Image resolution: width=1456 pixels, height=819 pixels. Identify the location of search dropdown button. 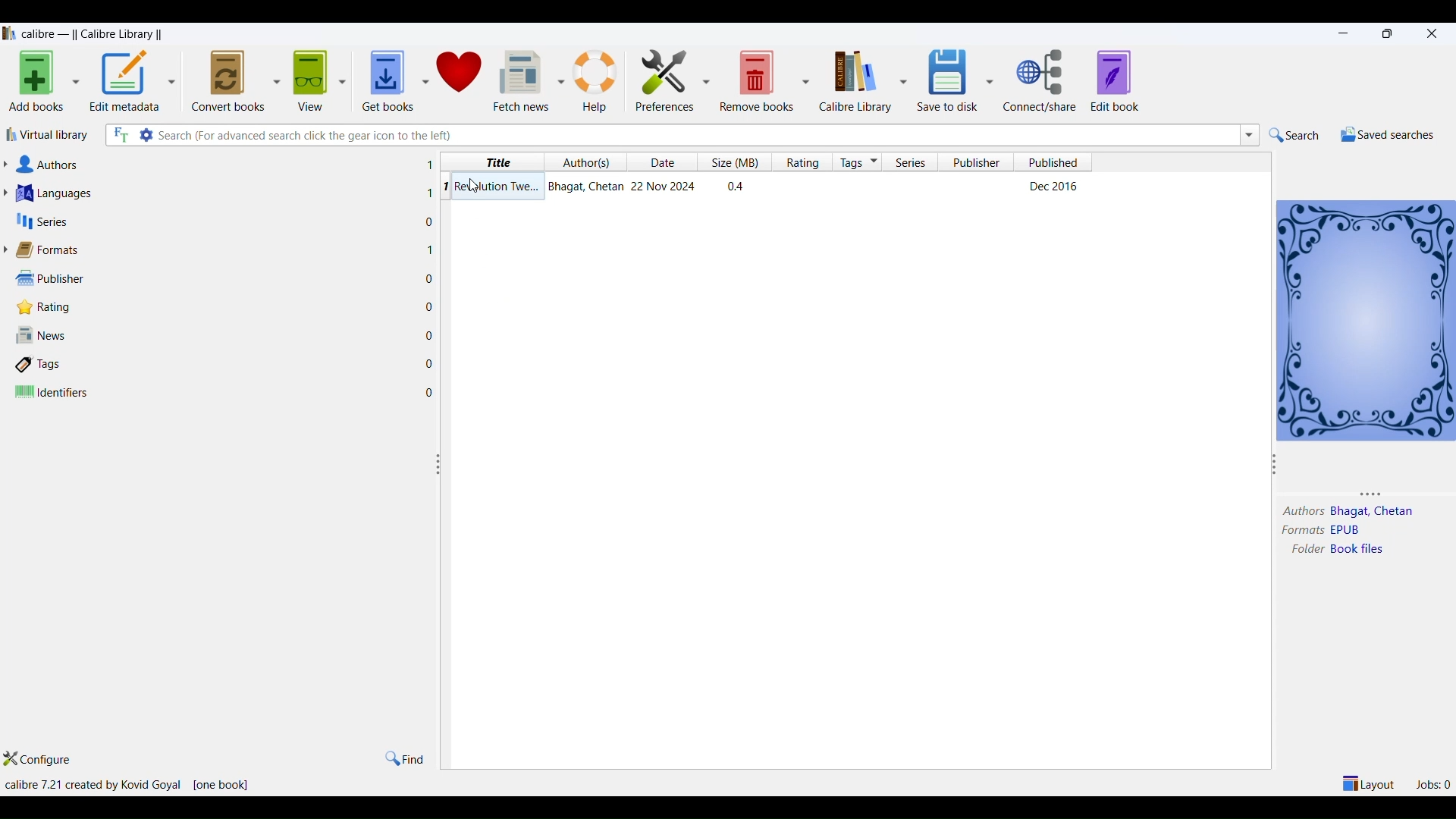
(1250, 136).